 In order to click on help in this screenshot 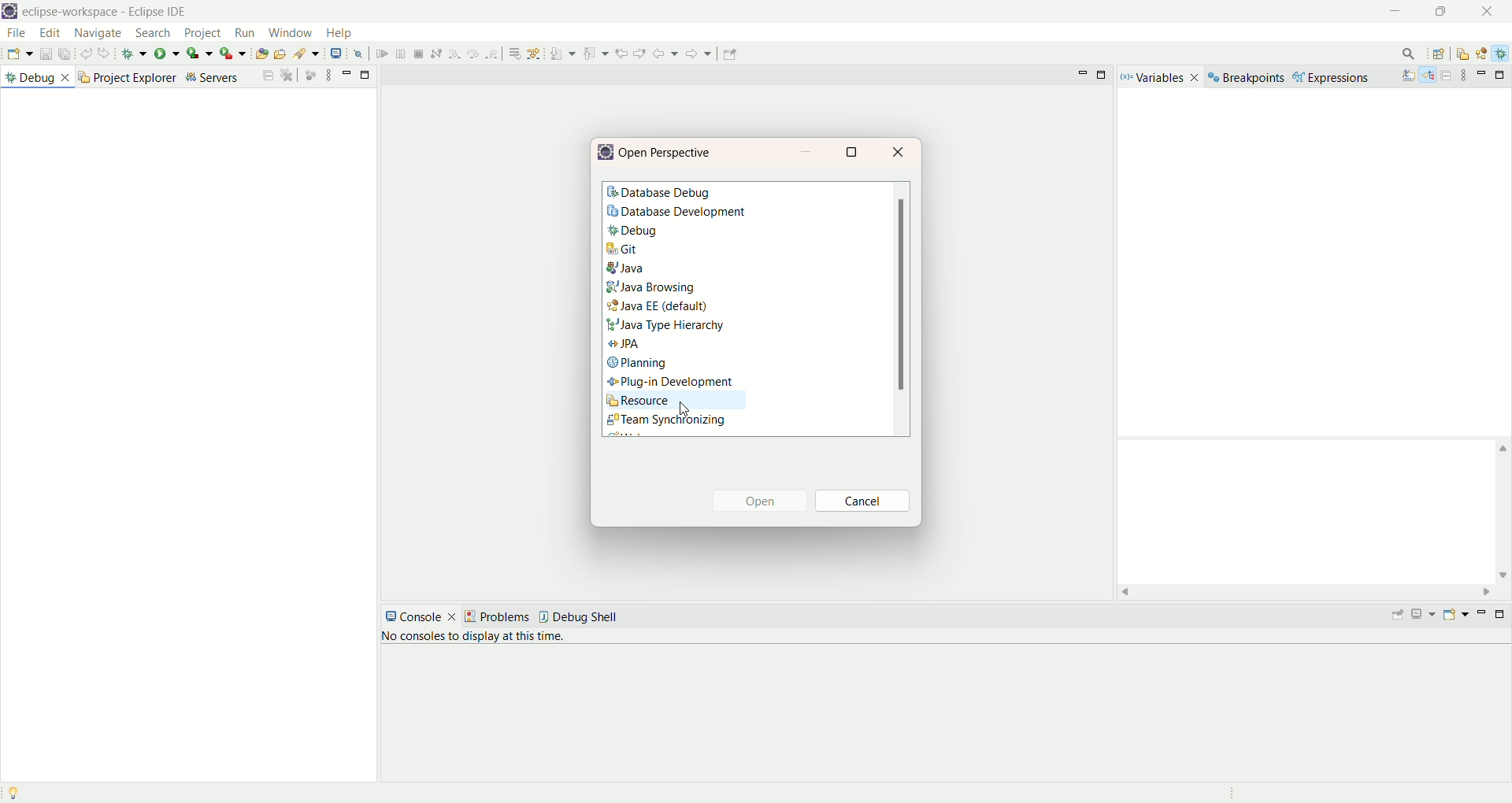, I will do `click(340, 33)`.